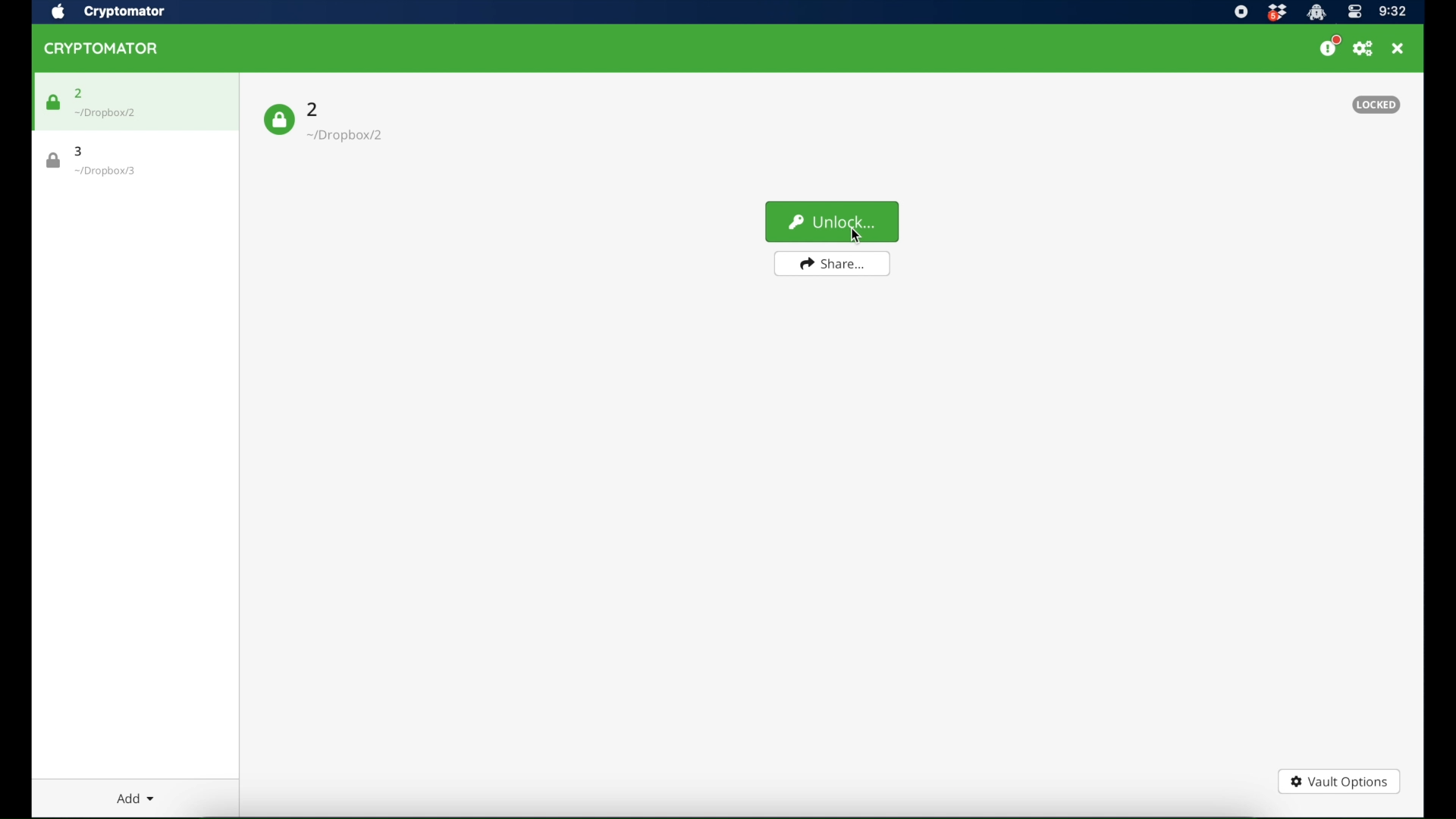 Image resolution: width=1456 pixels, height=819 pixels. Describe the element at coordinates (1399, 49) in the screenshot. I see `close` at that location.